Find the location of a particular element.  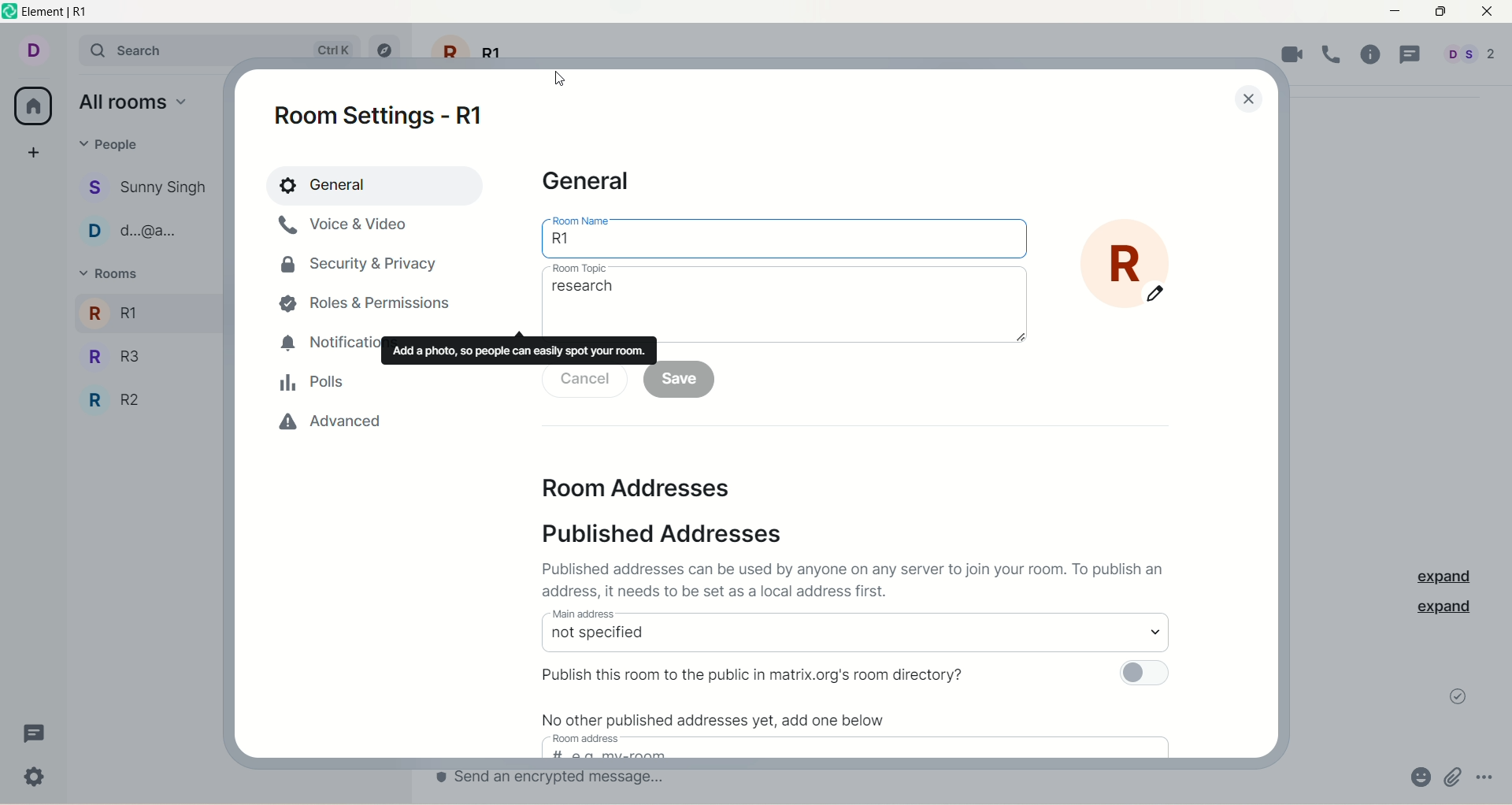

emoji is located at coordinates (1411, 775).